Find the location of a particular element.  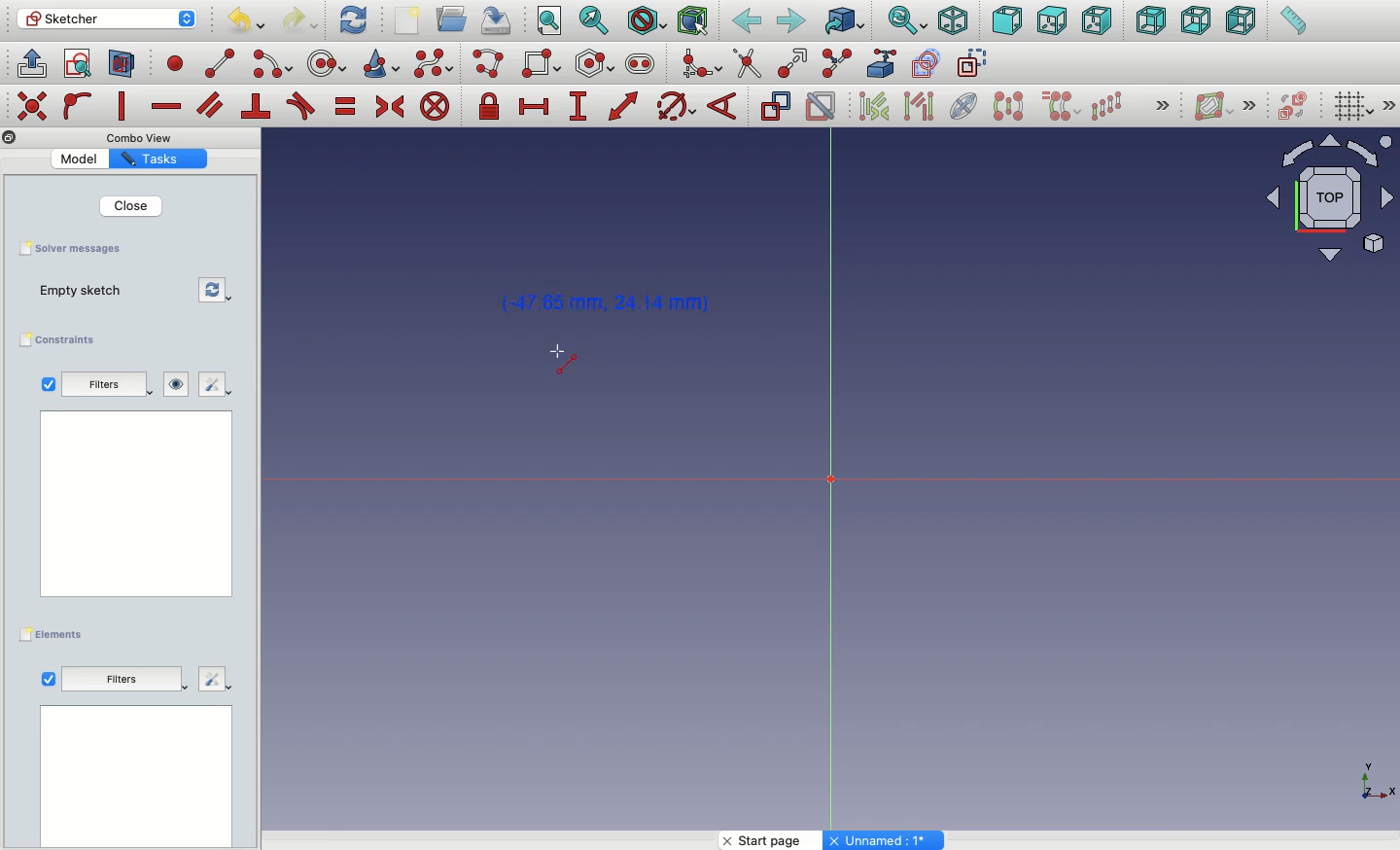

 is located at coordinates (145, 138).